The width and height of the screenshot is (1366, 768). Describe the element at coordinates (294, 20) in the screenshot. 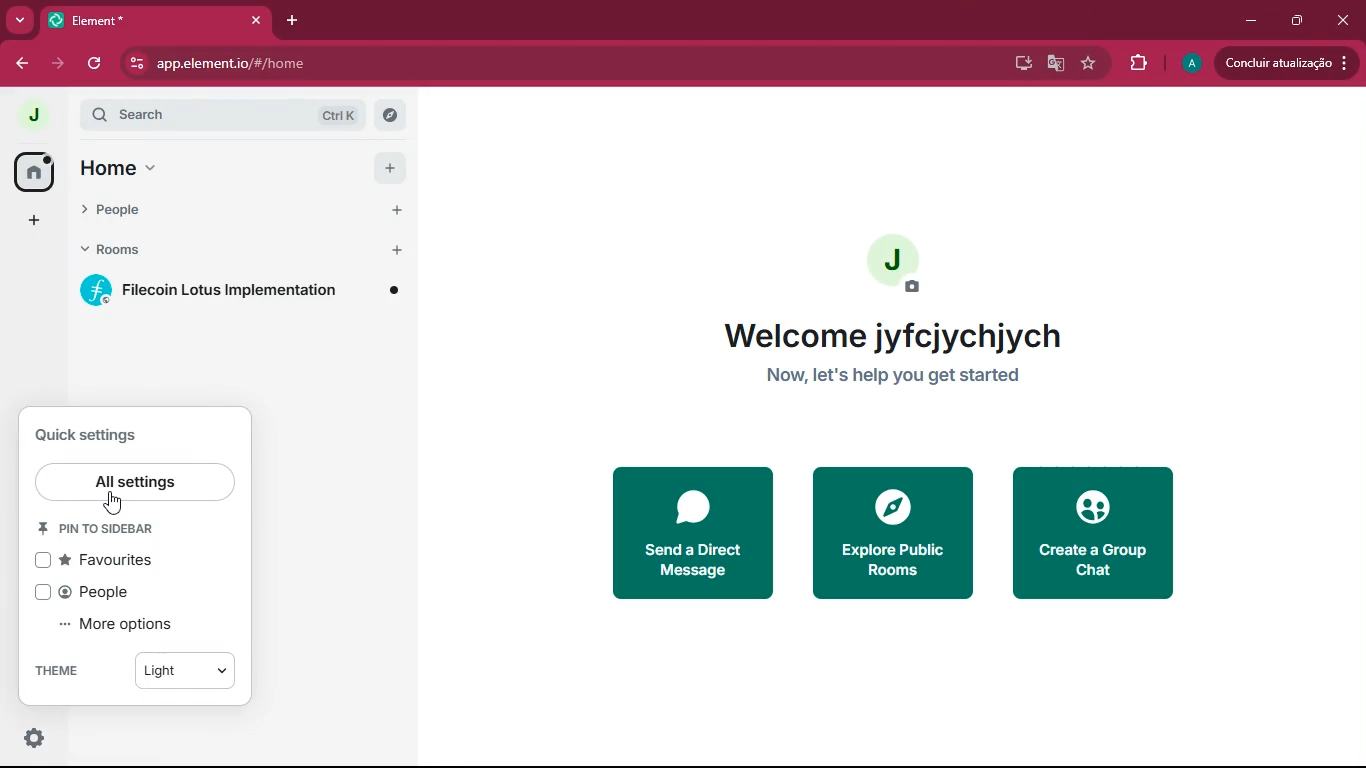

I see `add tab` at that location.